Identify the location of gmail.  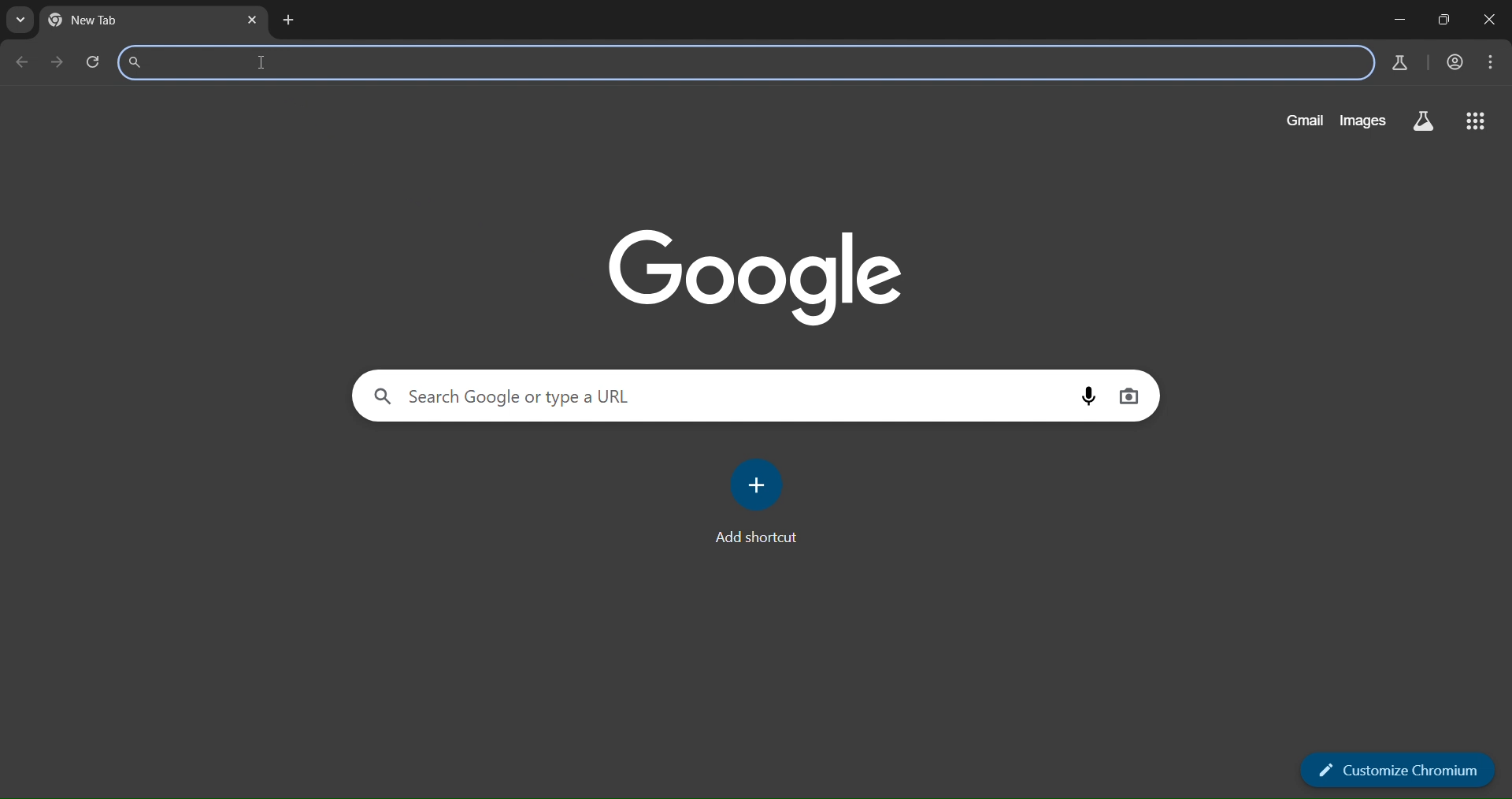
(1301, 119).